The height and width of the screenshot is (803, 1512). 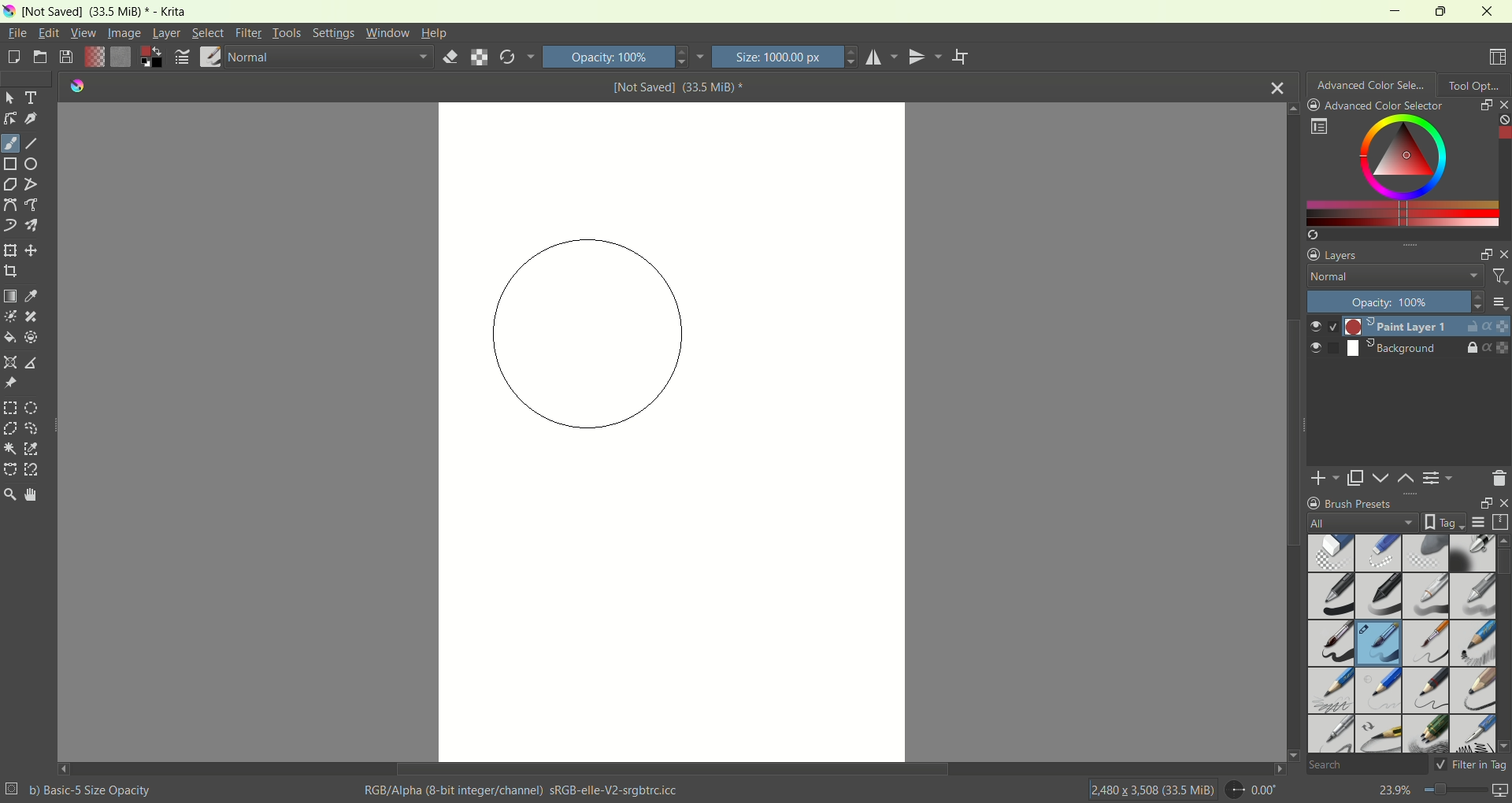 I want to click on edit brush settings, so click(x=183, y=57).